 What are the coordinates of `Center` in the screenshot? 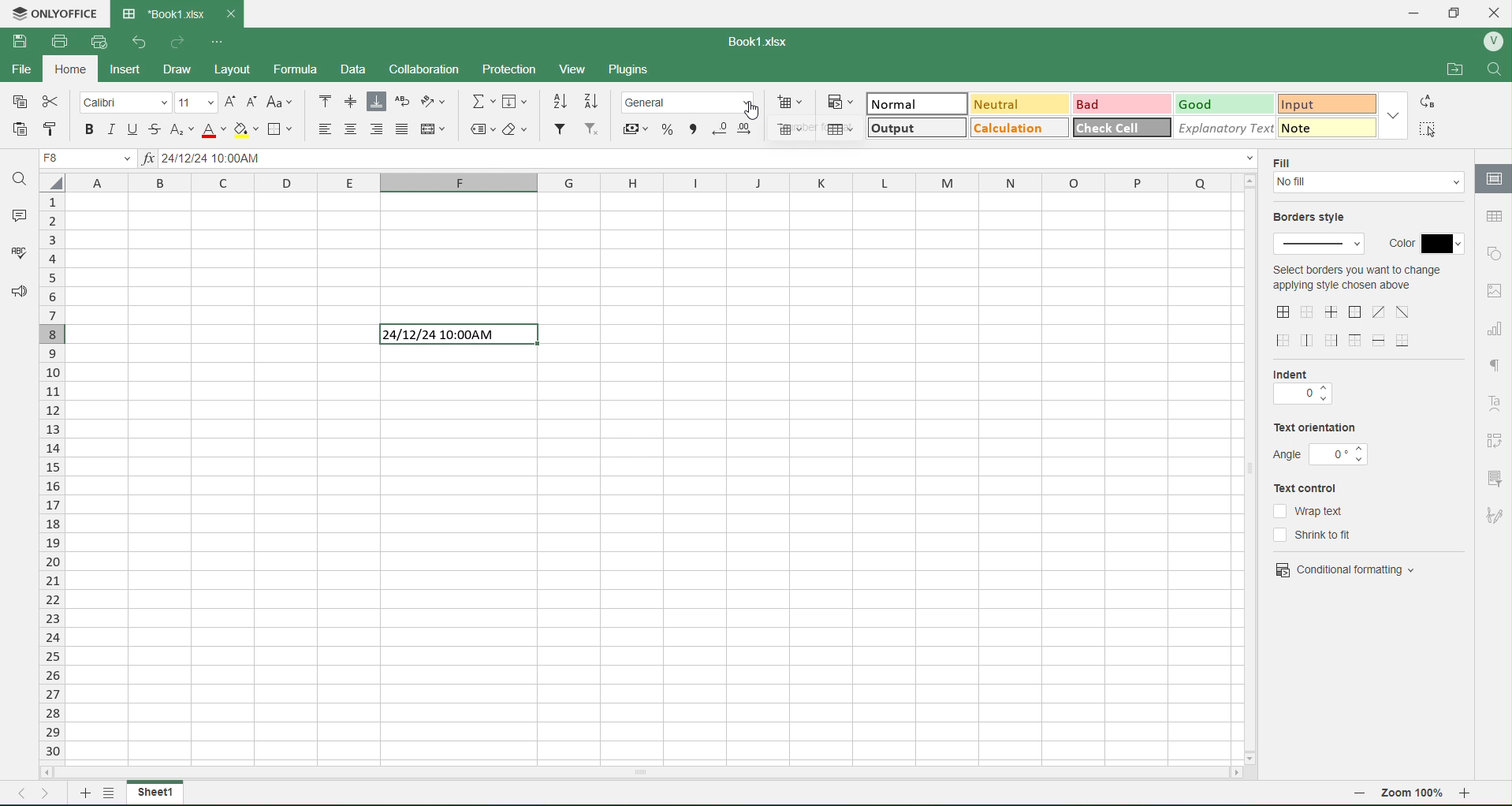 It's located at (352, 129).